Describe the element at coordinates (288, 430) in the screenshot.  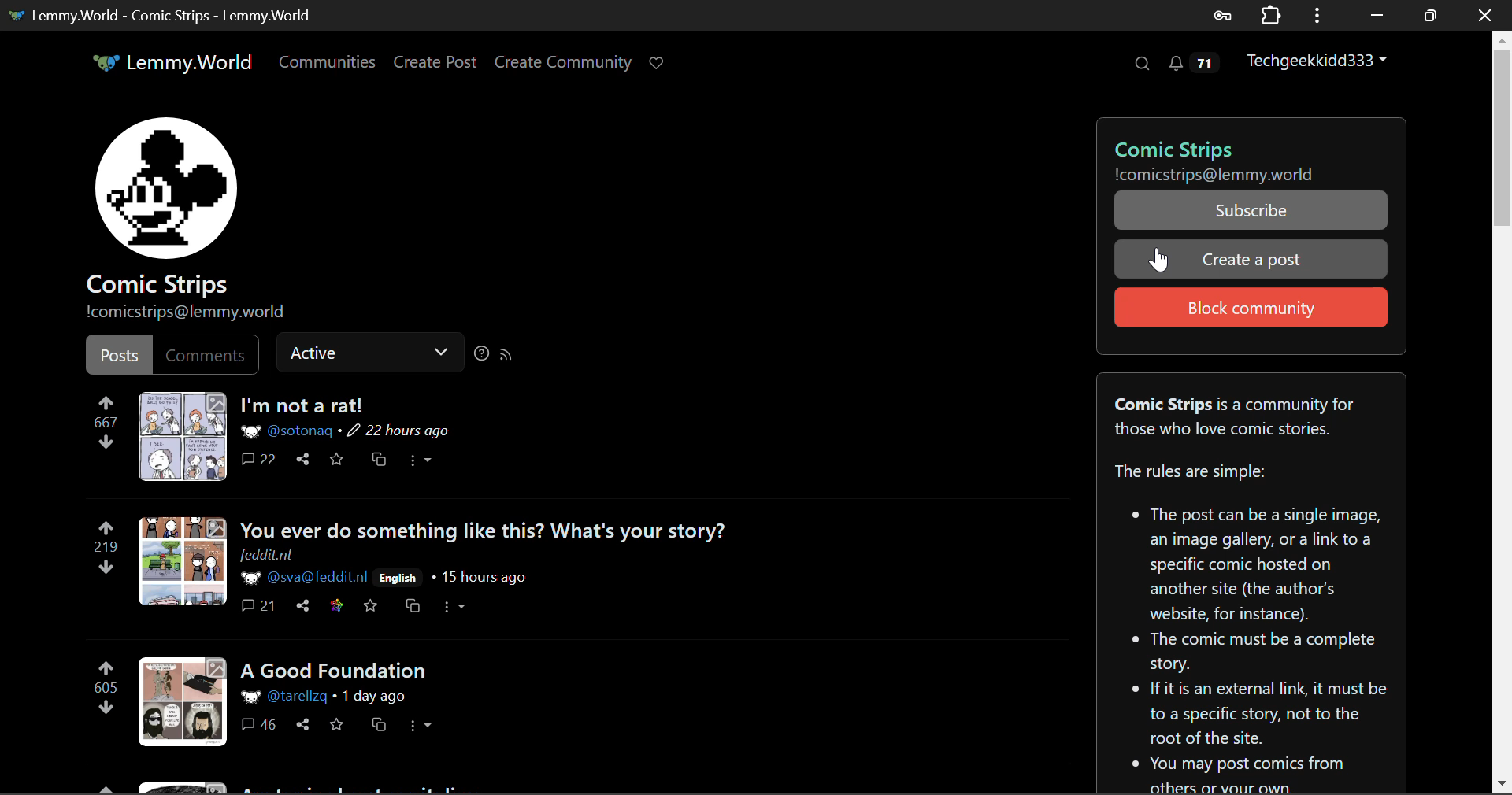
I see `@sotonaq` at that location.